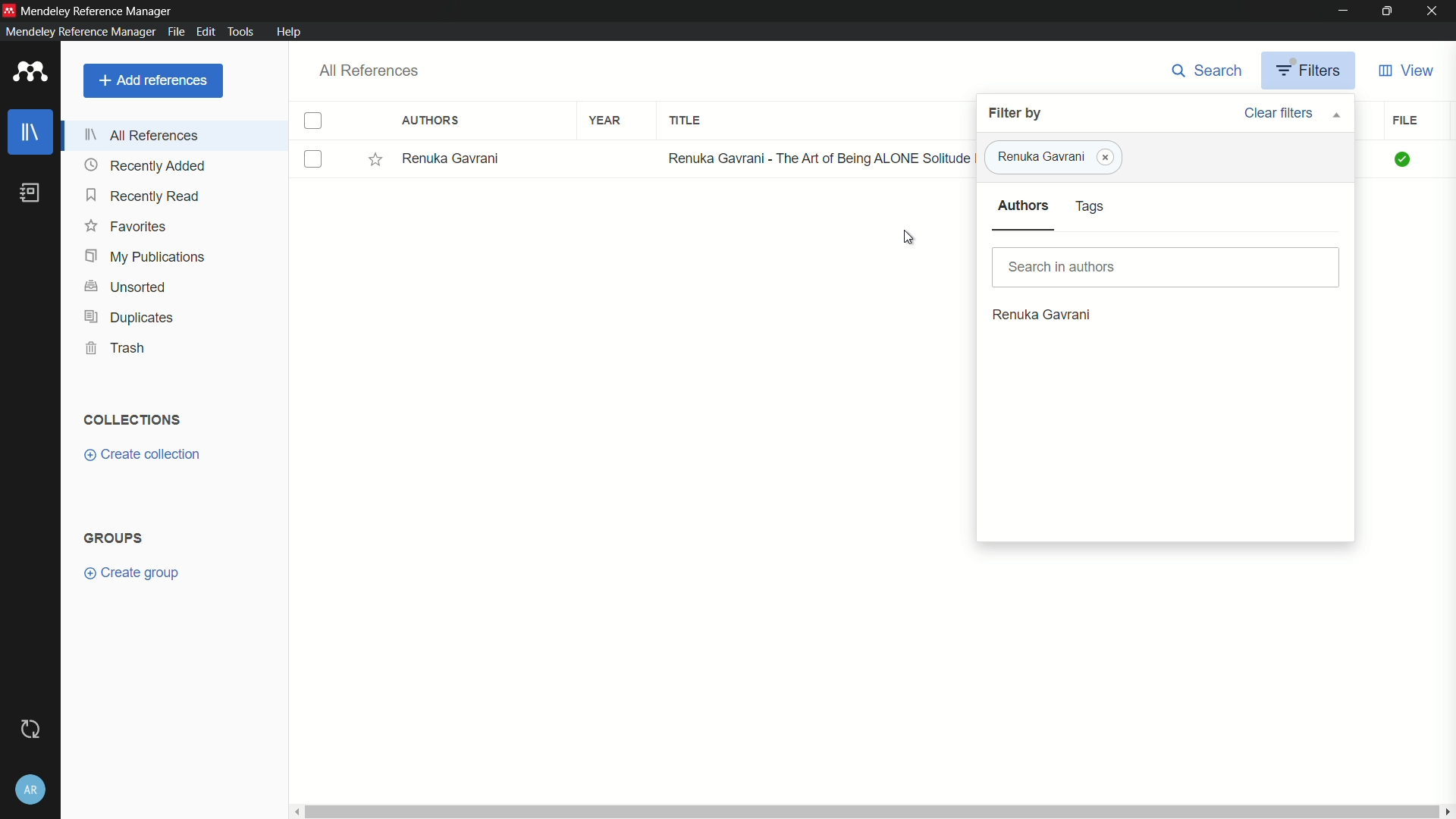  I want to click on Farnham, Boston; Tokyo, S..., so click(489, 157).